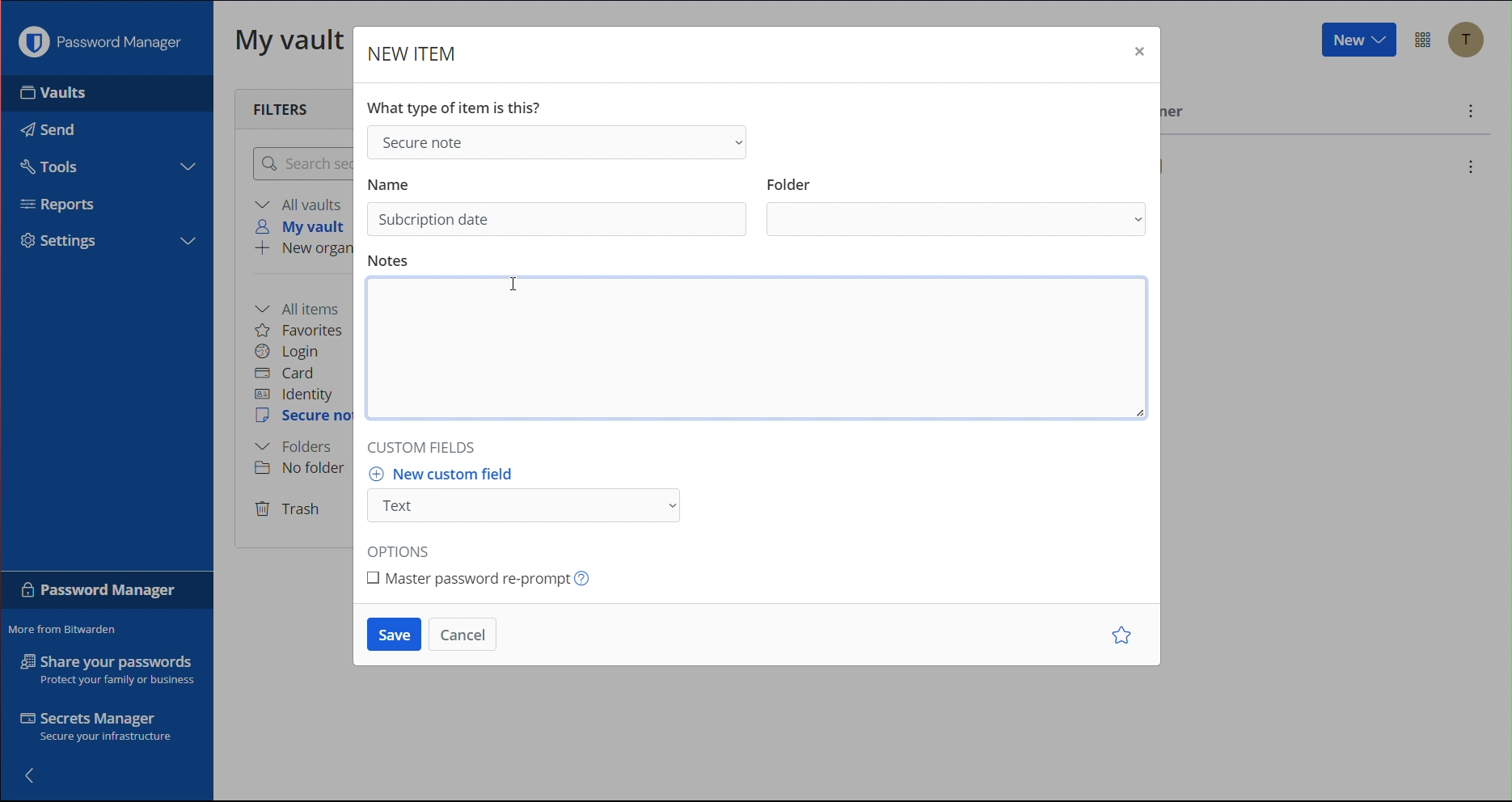 The width and height of the screenshot is (1512, 802). Describe the element at coordinates (302, 204) in the screenshot. I see `All vaults` at that location.